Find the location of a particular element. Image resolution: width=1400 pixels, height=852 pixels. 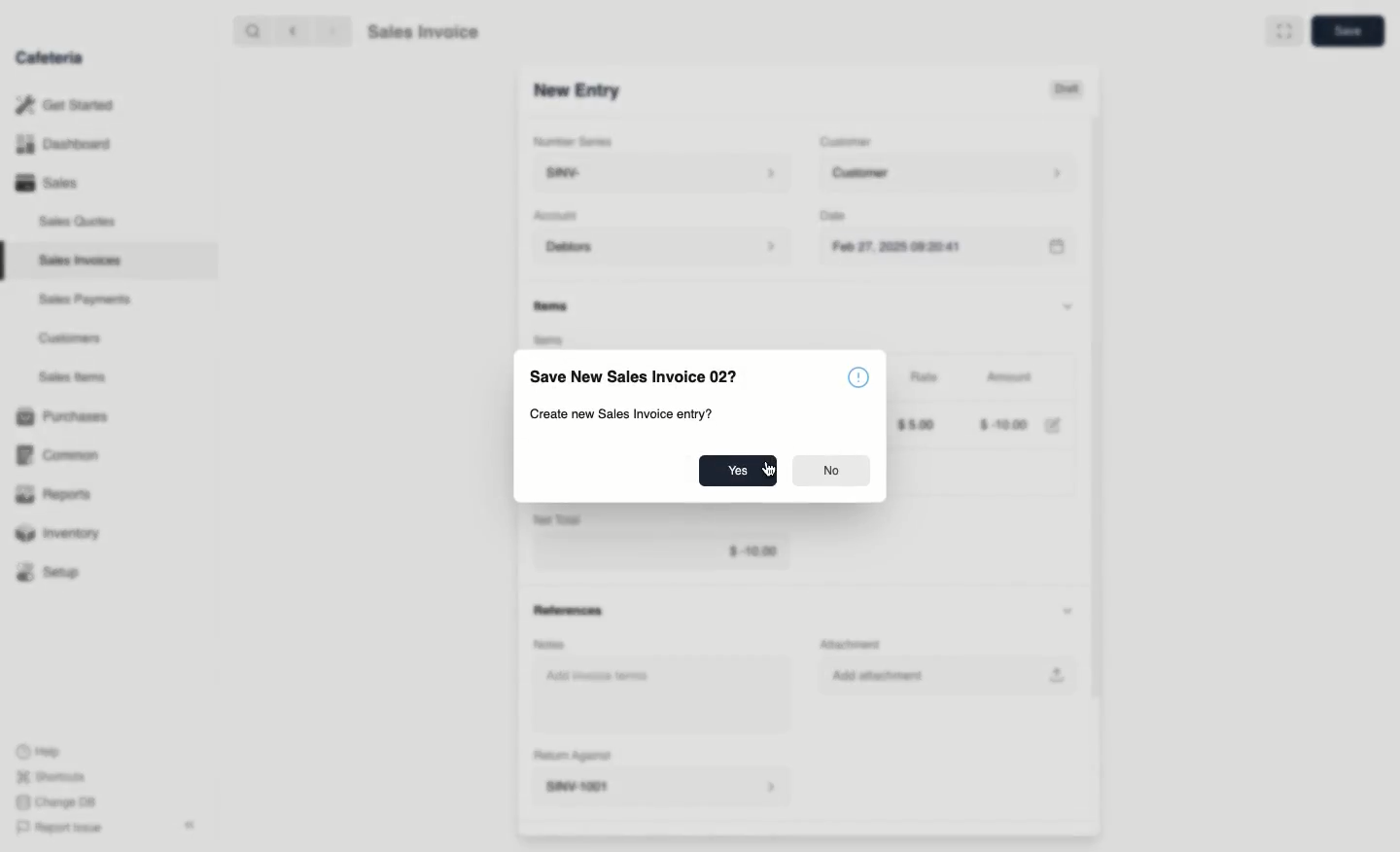

Report Issue is located at coordinates (63, 826).